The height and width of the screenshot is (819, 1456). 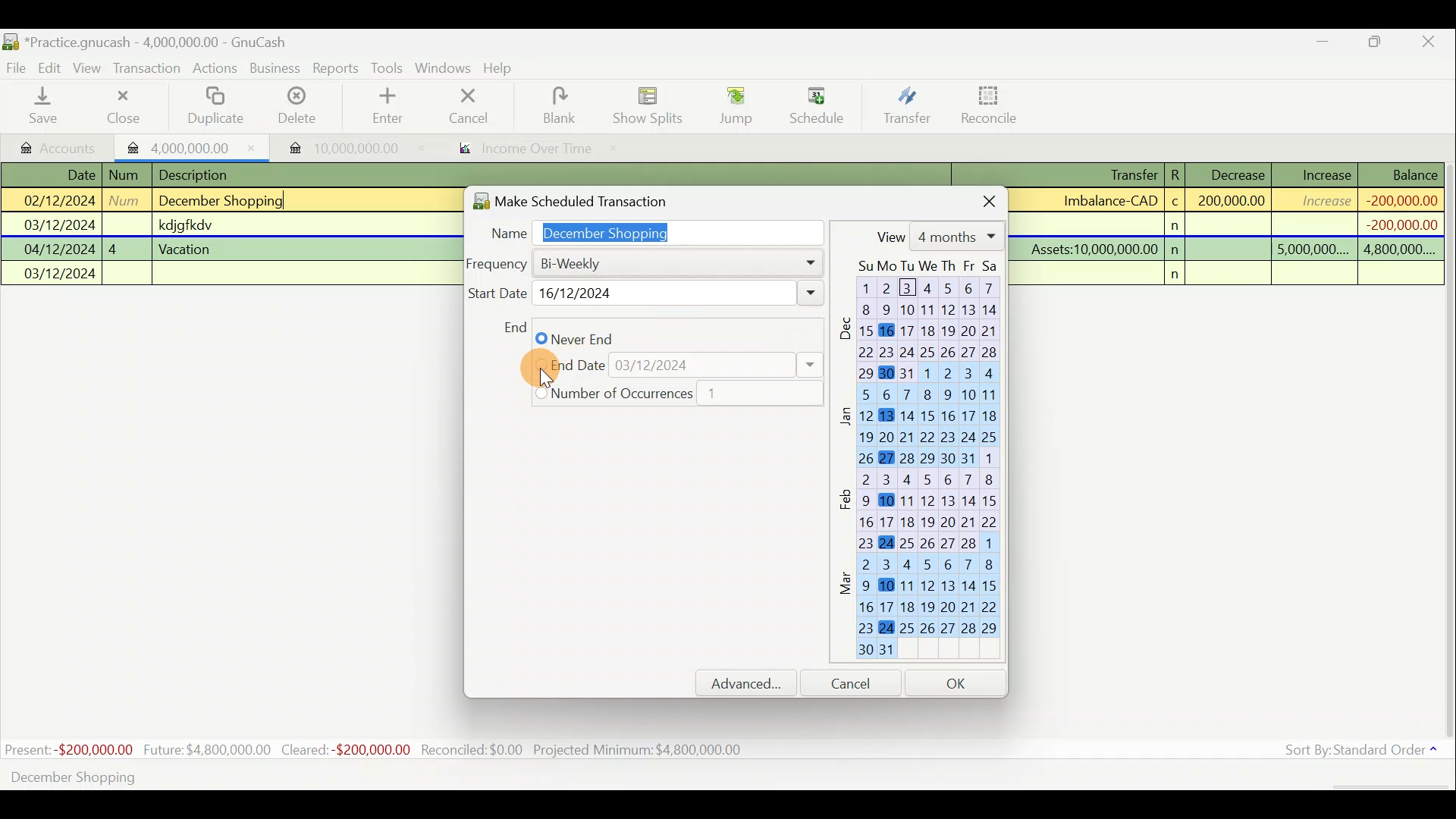 What do you see at coordinates (1323, 45) in the screenshot?
I see `Minimise` at bounding box center [1323, 45].